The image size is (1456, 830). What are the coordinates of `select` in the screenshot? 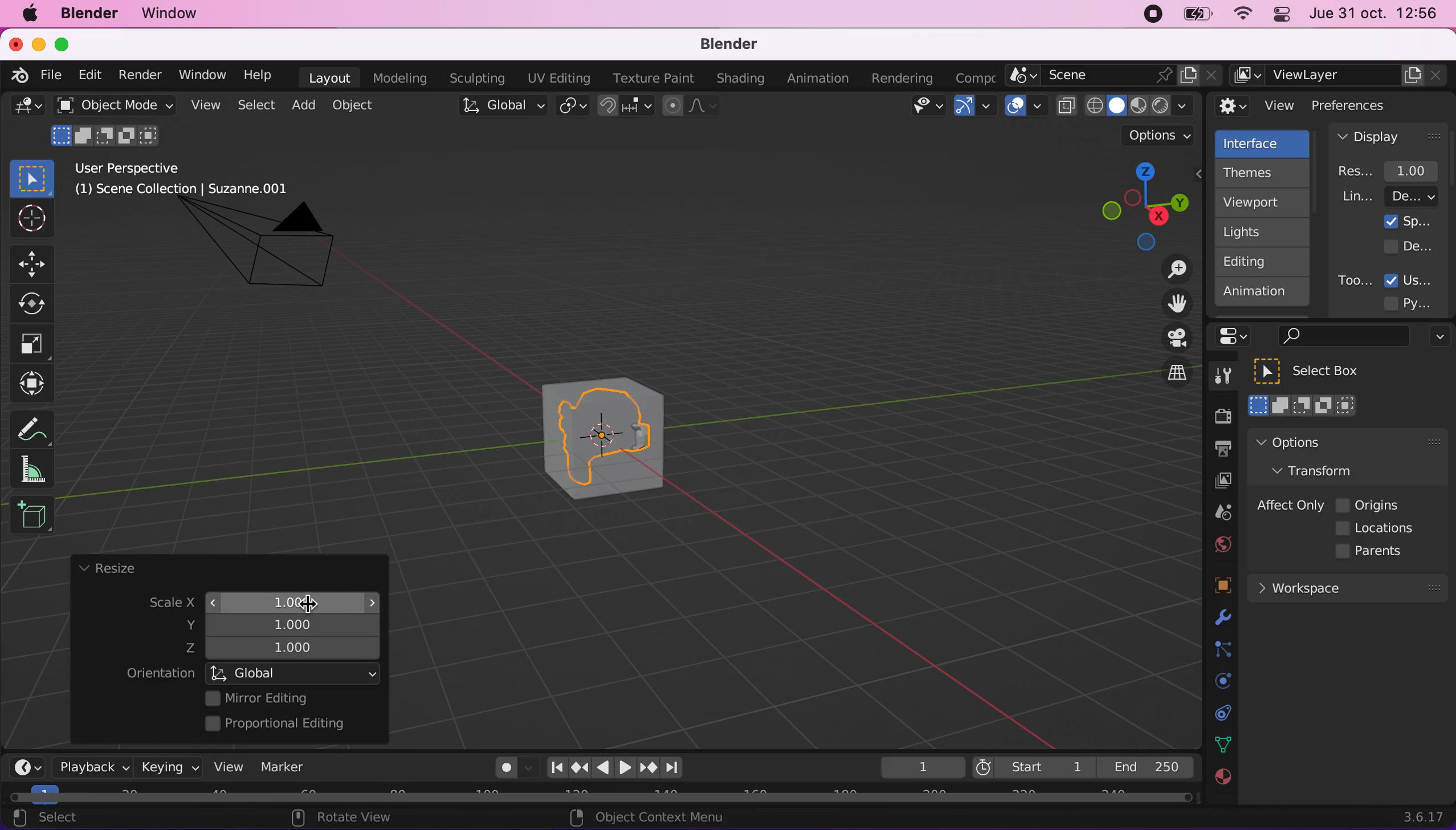 It's located at (255, 106).